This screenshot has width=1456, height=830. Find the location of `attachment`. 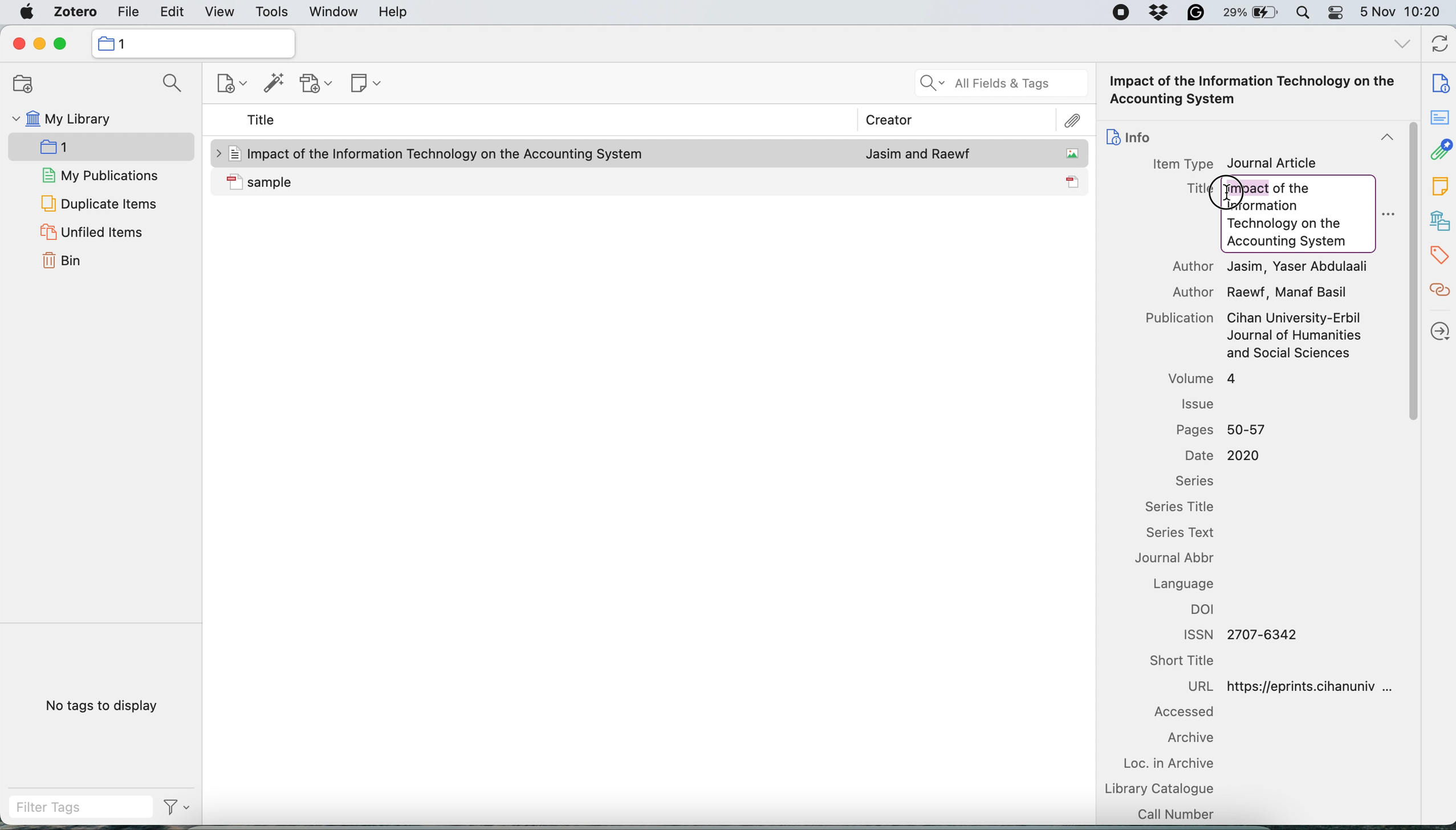

attachment is located at coordinates (1439, 150).